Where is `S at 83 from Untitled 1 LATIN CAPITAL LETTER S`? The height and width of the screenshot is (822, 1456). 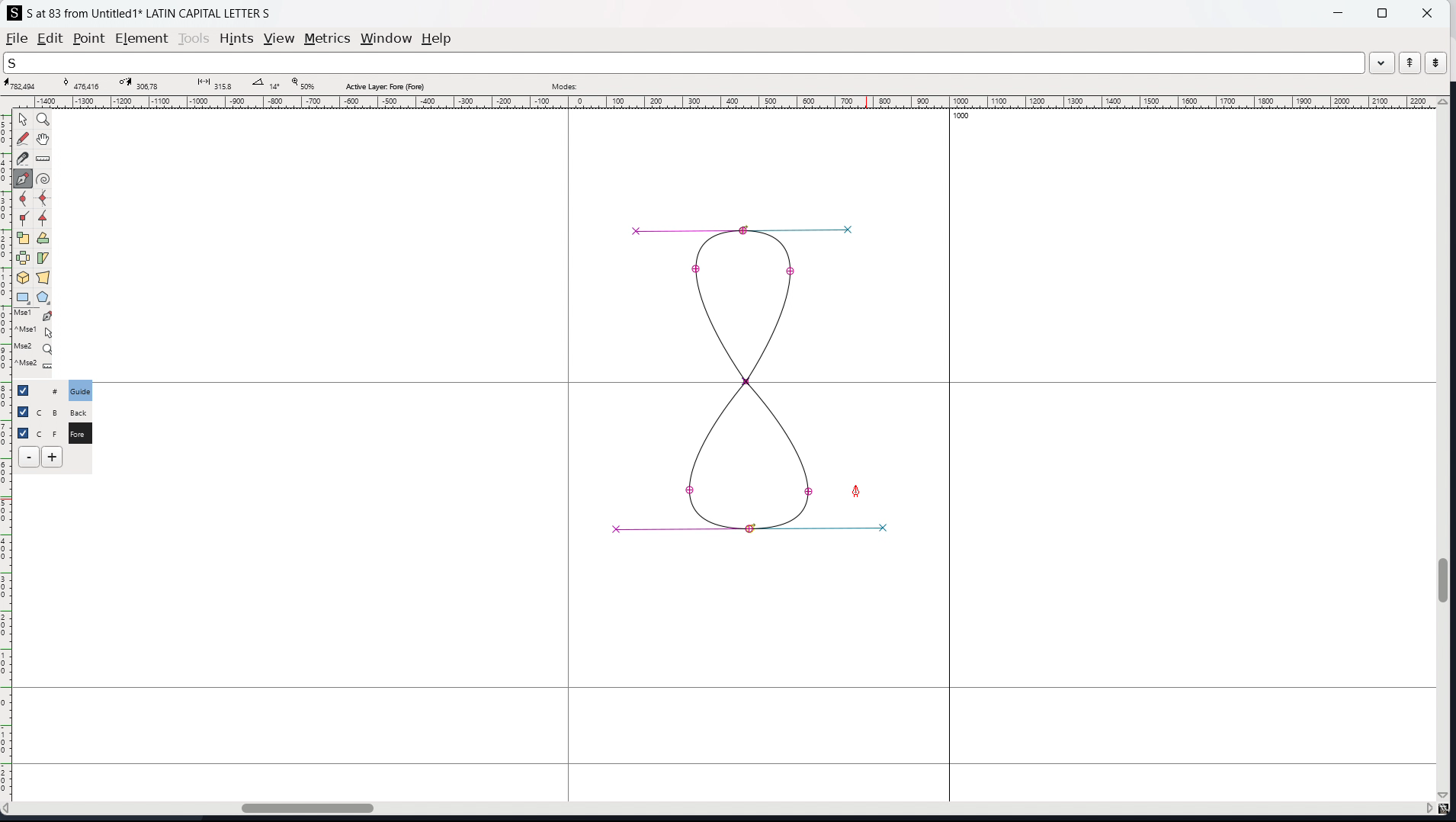 S at 83 from Untitled 1 LATIN CAPITAL LETTER S is located at coordinates (149, 12).